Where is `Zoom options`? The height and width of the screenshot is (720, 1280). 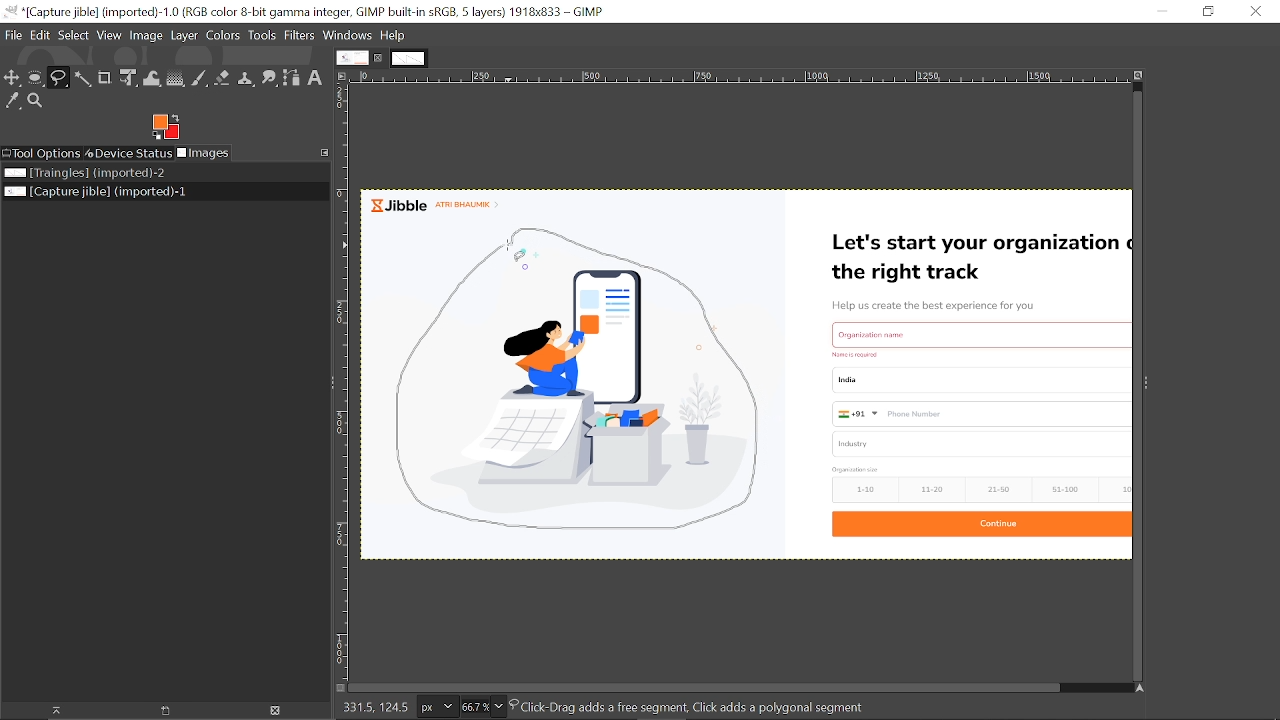
Zoom options is located at coordinates (501, 707).